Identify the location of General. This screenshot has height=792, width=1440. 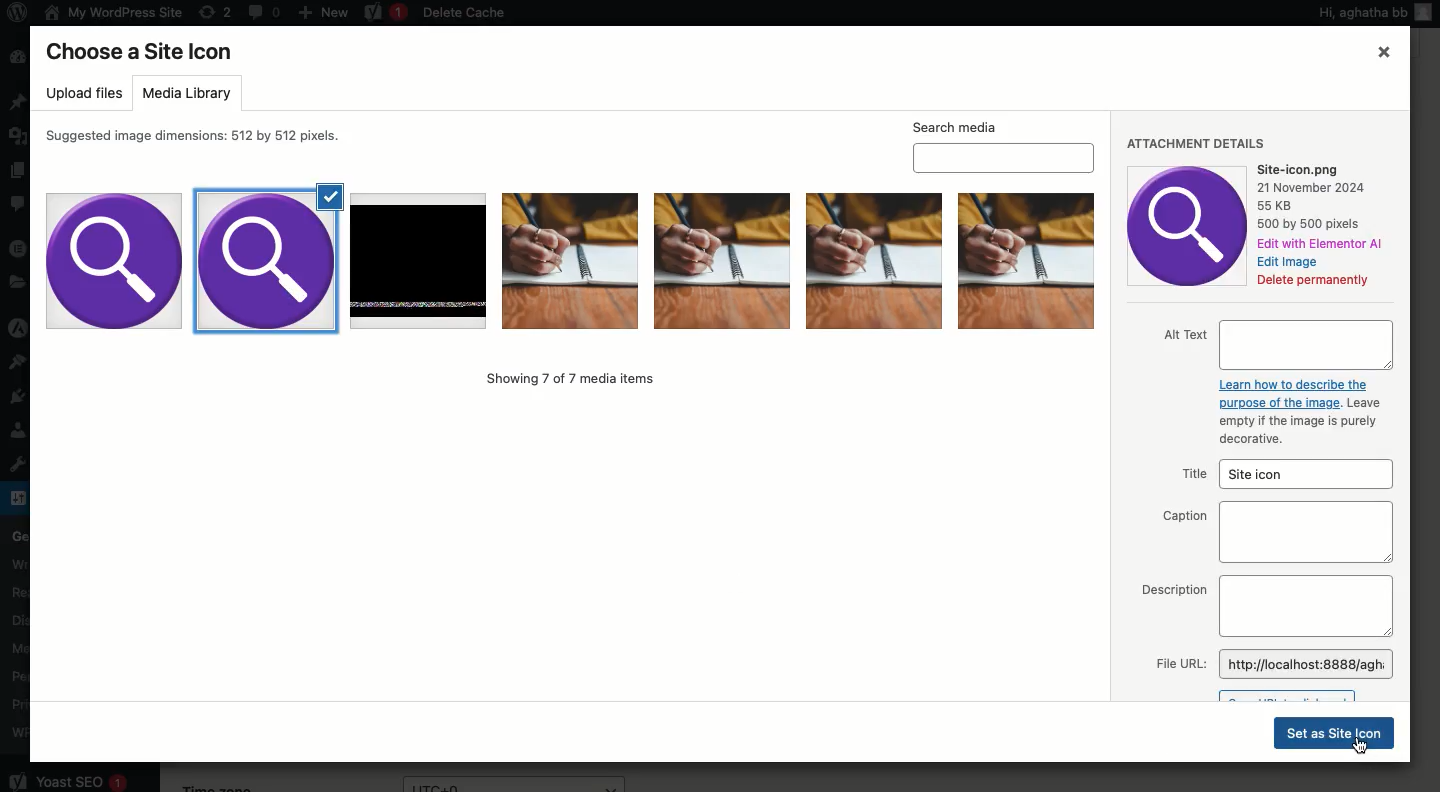
(17, 533).